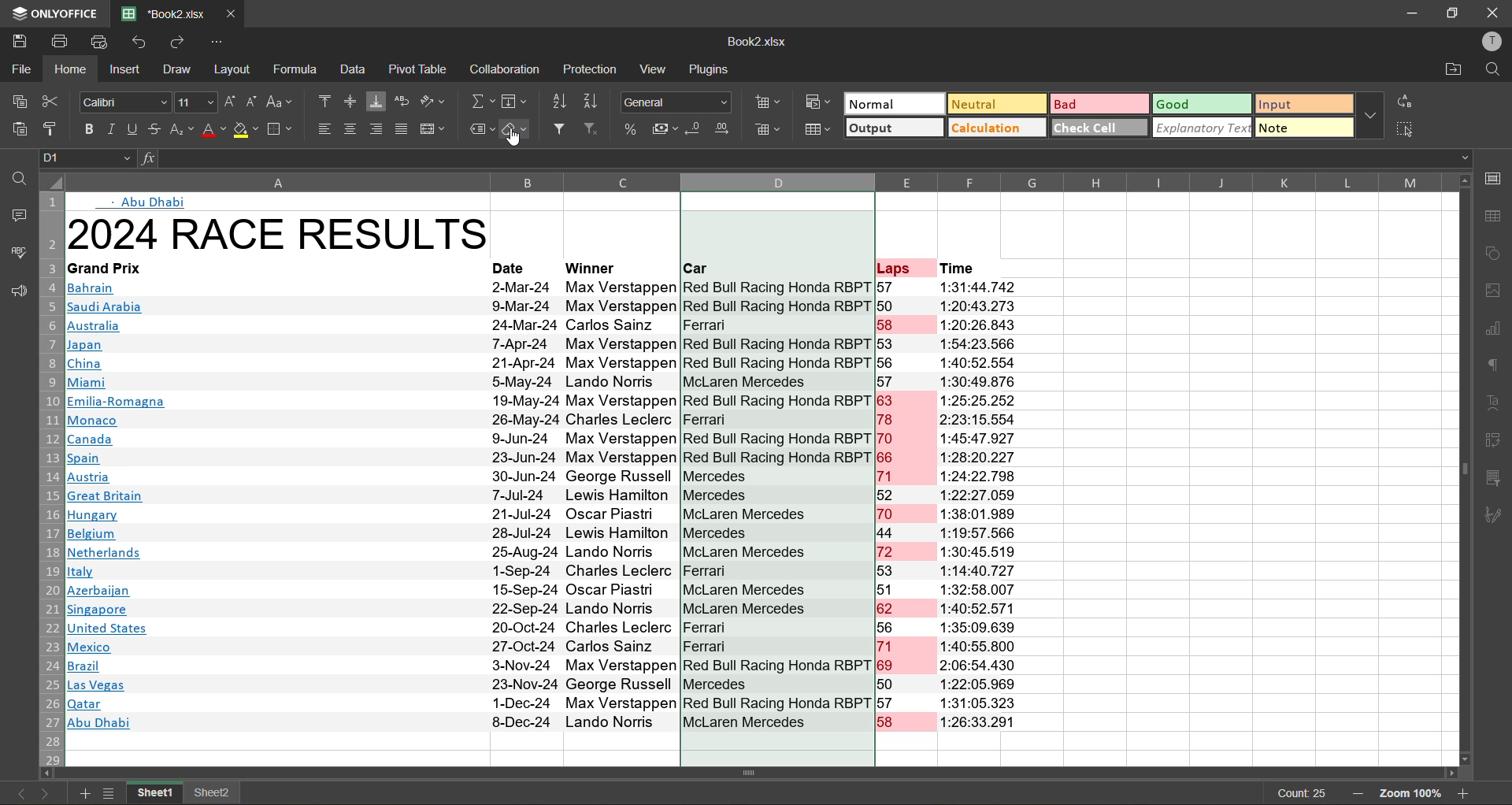  Describe the element at coordinates (1202, 128) in the screenshot. I see `explanatory text` at that location.